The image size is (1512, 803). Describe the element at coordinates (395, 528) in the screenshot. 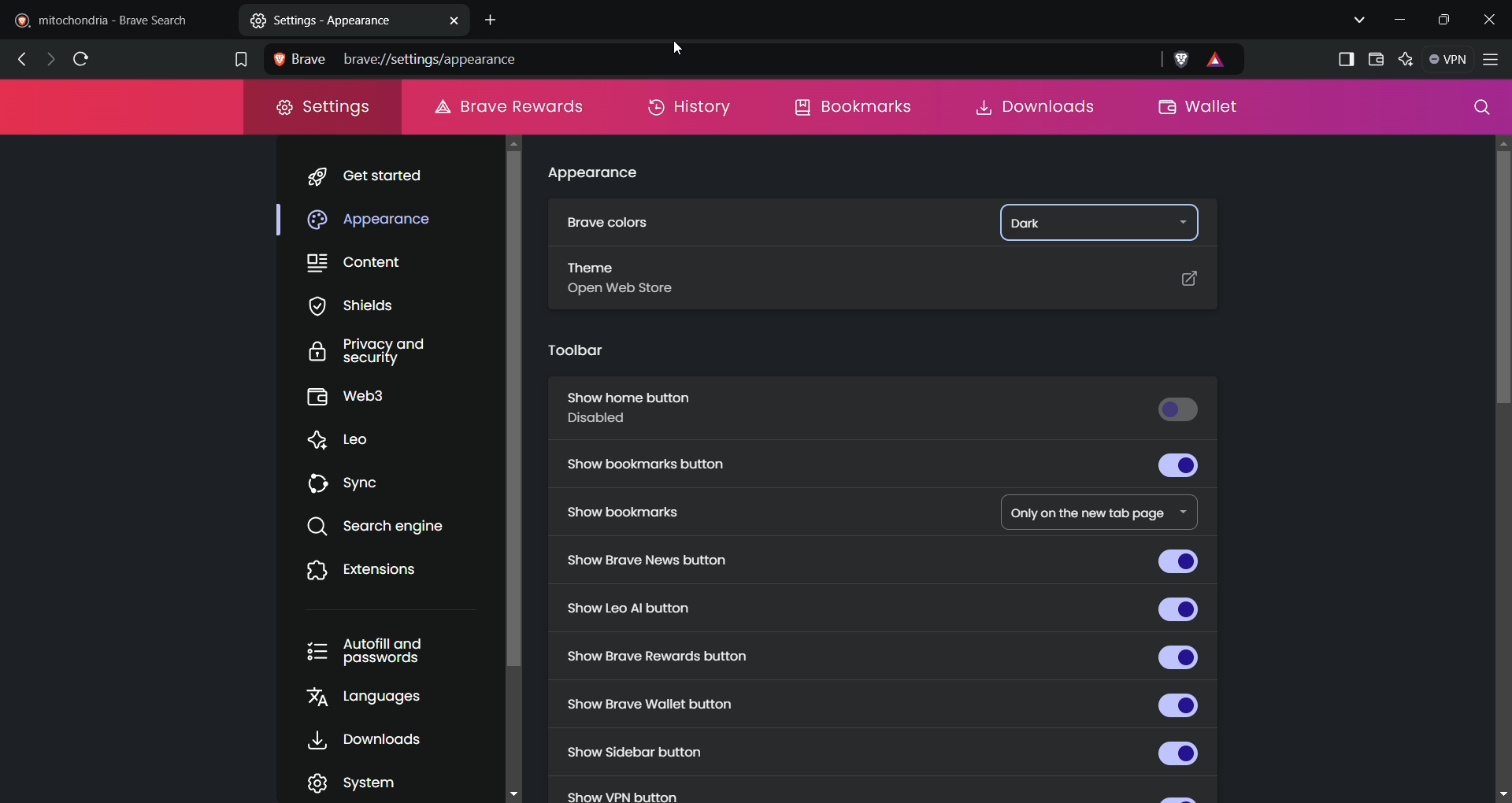

I see `search engine` at that location.